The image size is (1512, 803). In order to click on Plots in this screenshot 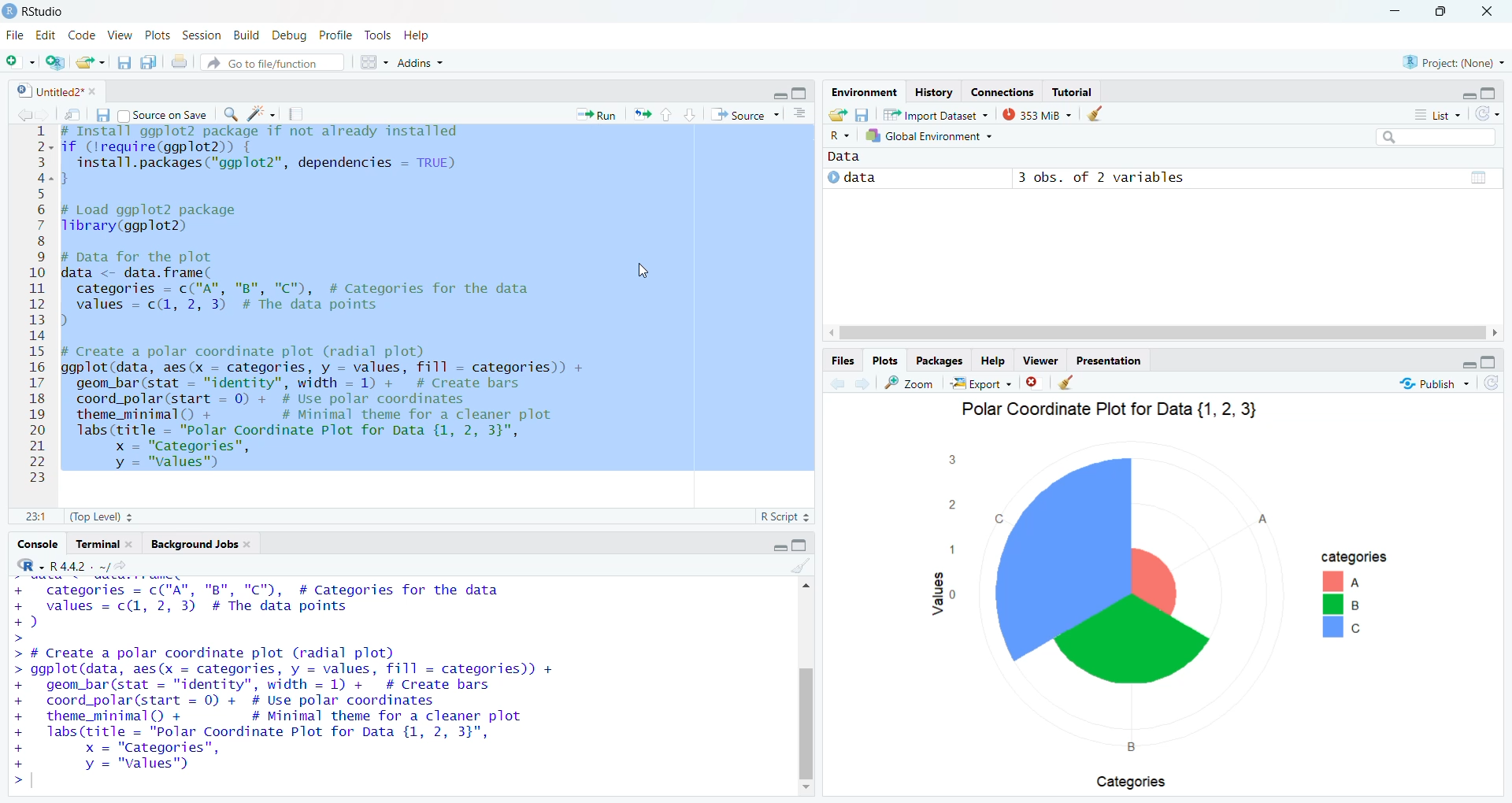, I will do `click(887, 361)`.